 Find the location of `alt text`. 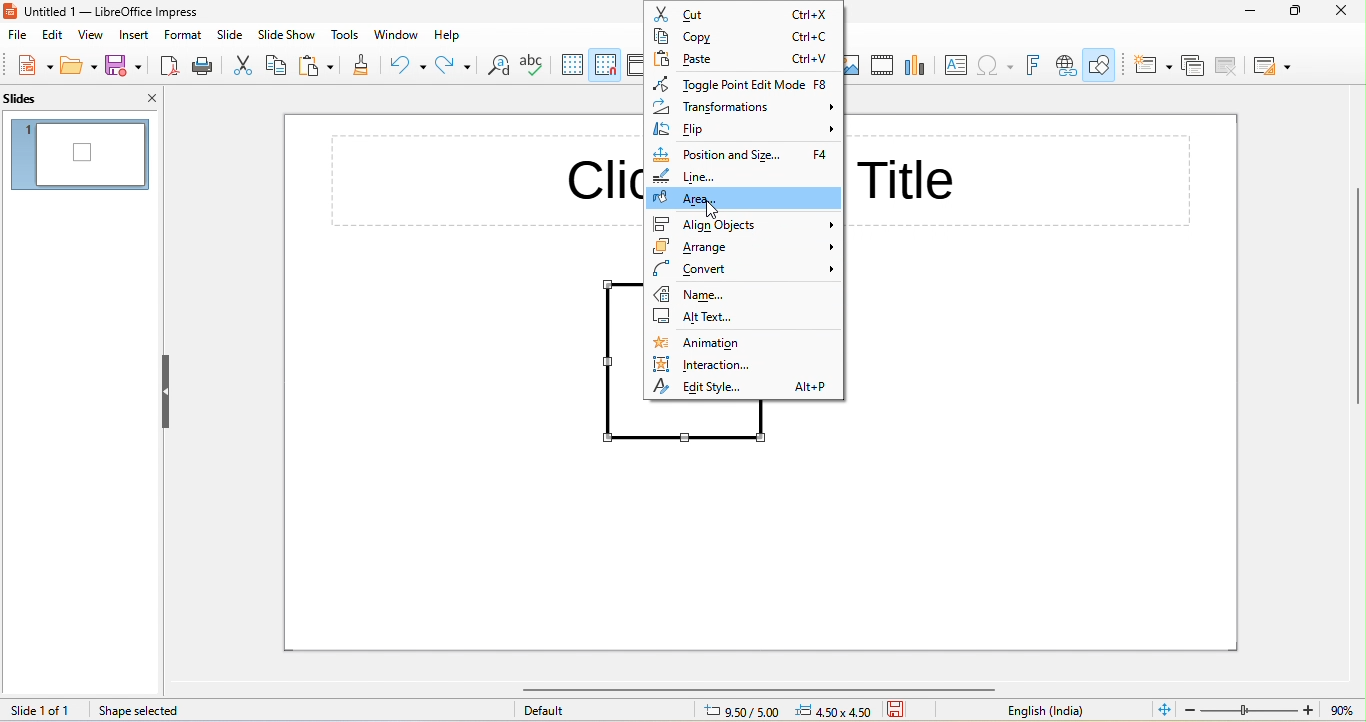

alt text is located at coordinates (742, 319).